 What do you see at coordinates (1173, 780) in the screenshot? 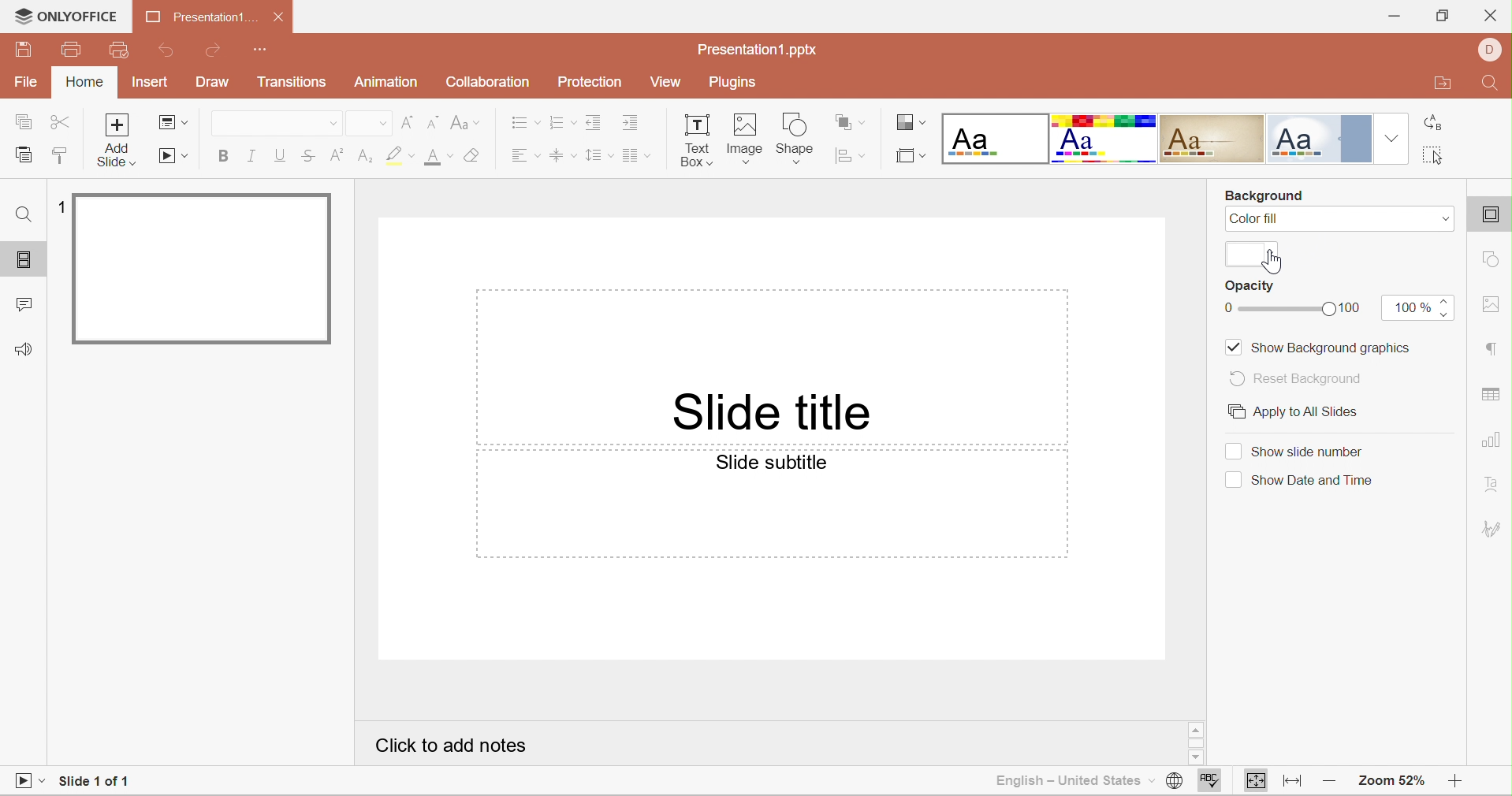
I see `Set document language` at bounding box center [1173, 780].